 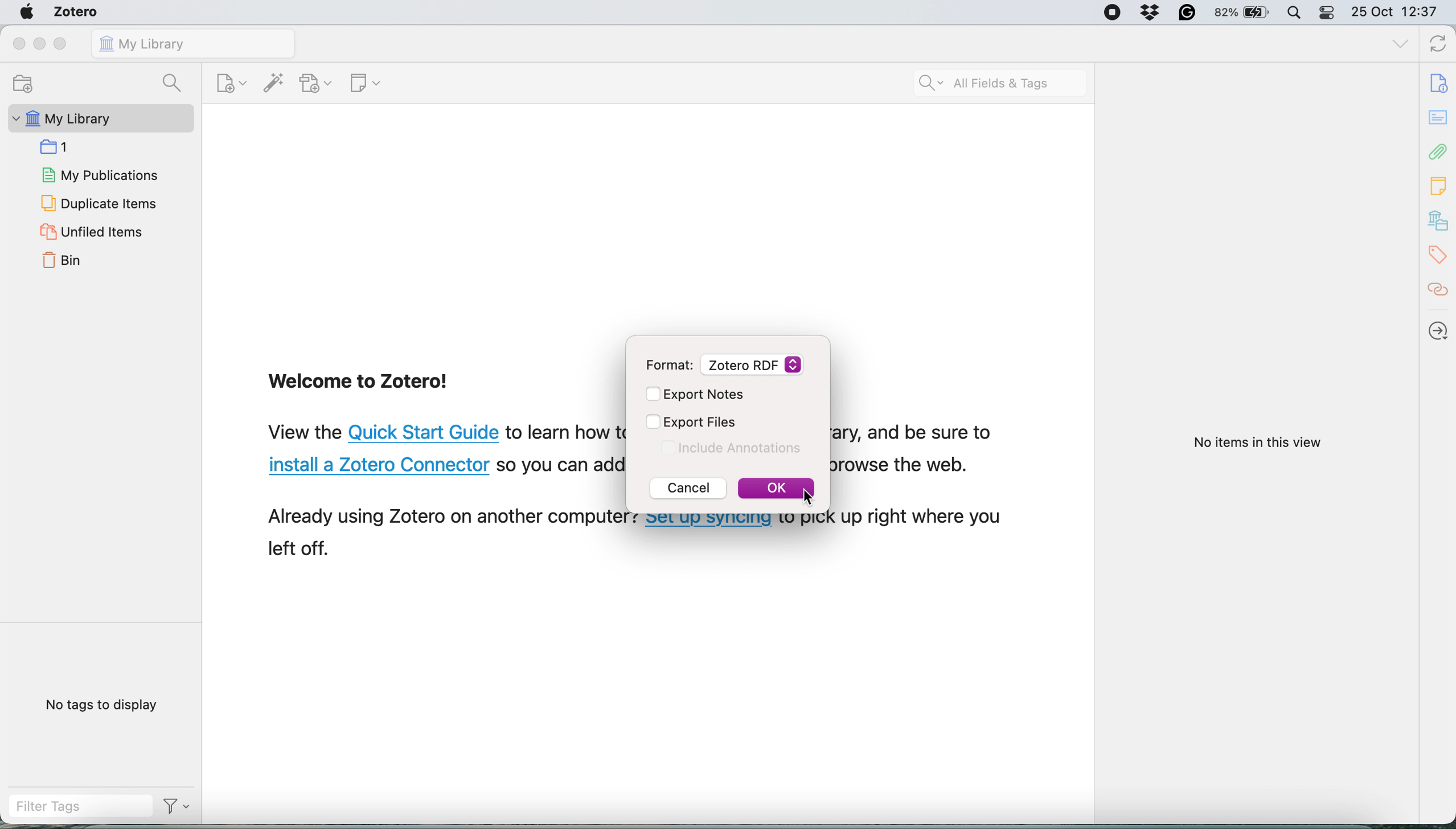 I want to click on OK, so click(x=777, y=489).